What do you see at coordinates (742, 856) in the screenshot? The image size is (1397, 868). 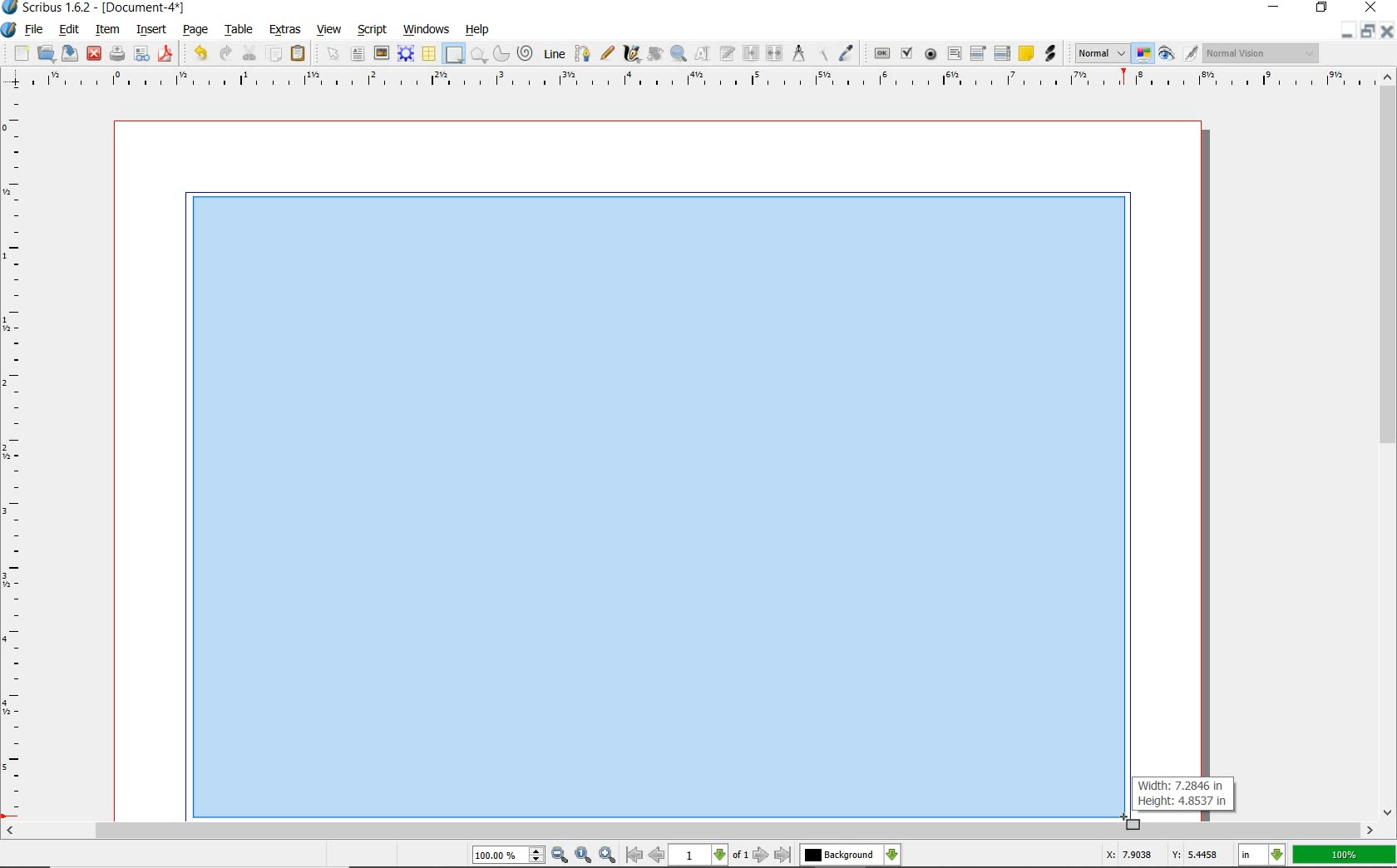 I see `of 1` at bounding box center [742, 856].